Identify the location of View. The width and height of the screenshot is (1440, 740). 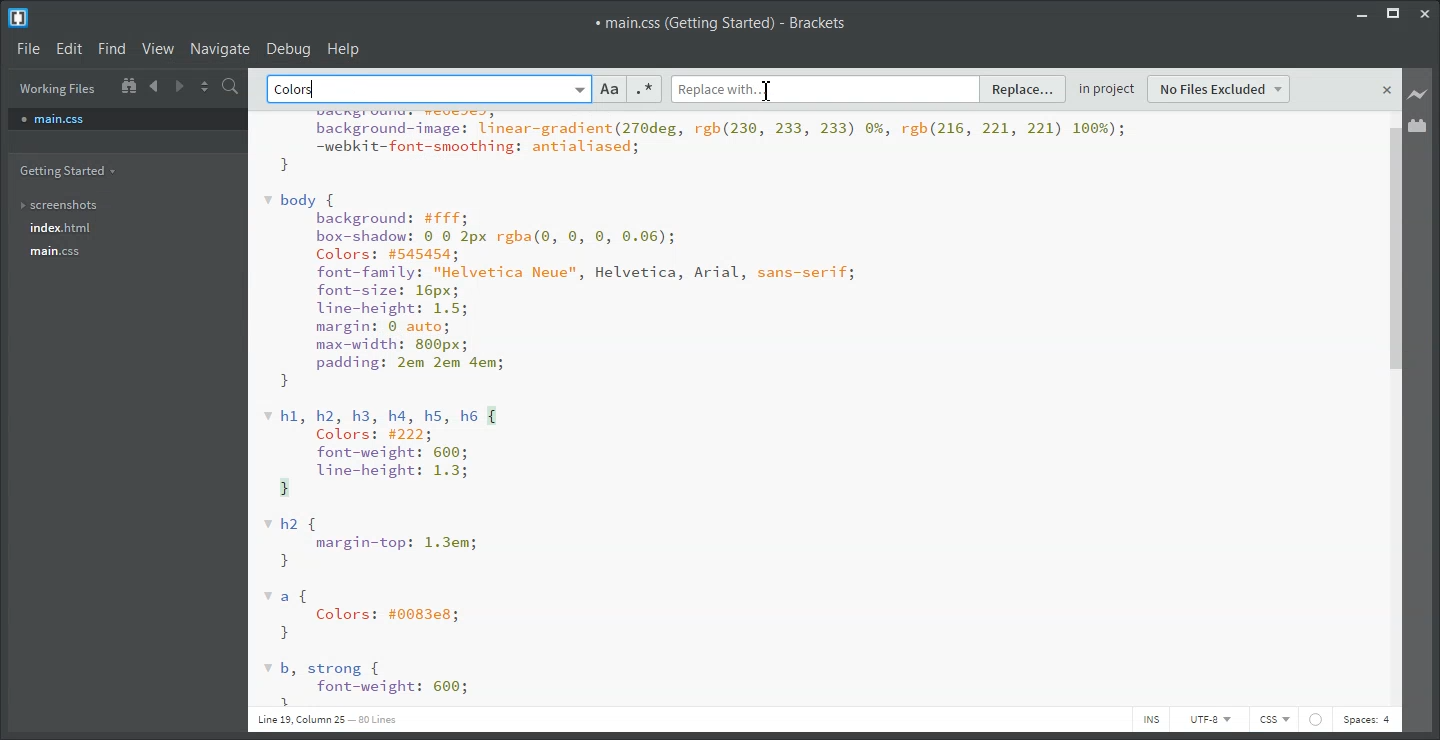
(158, 48).